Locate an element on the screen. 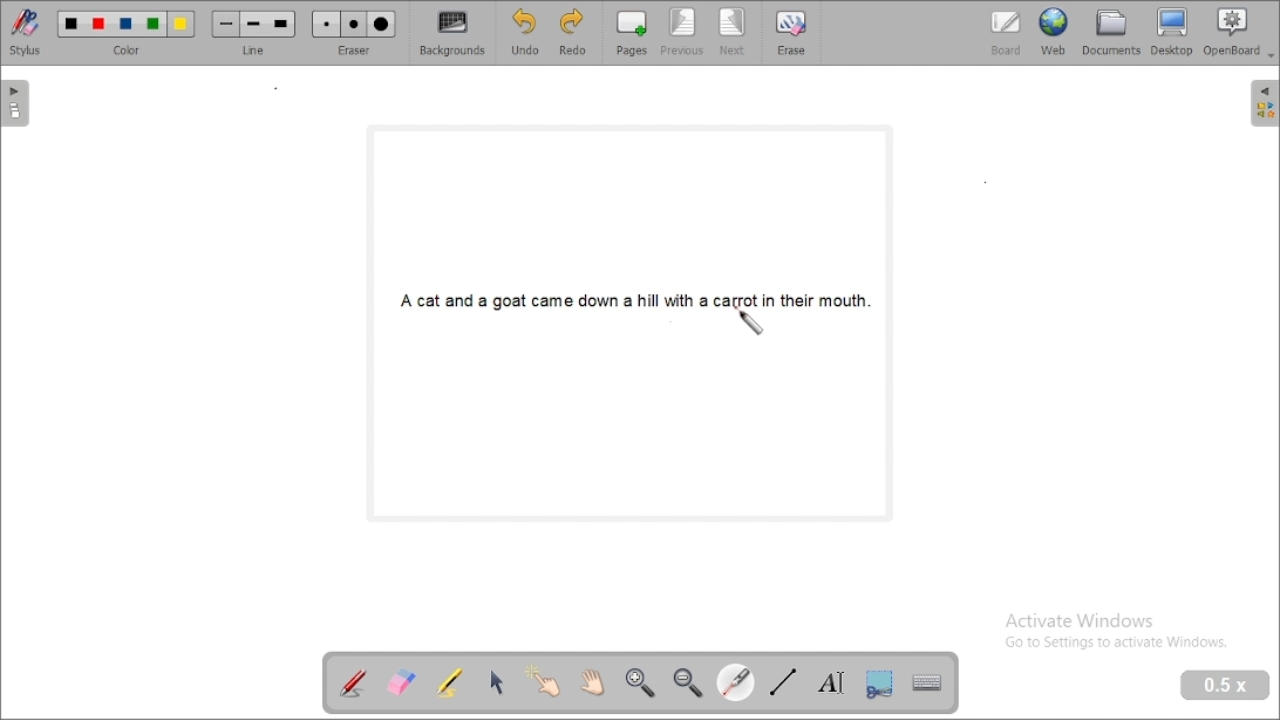 This screenshot has width=1280, height=720. board is located at coordinates (1005, 34).